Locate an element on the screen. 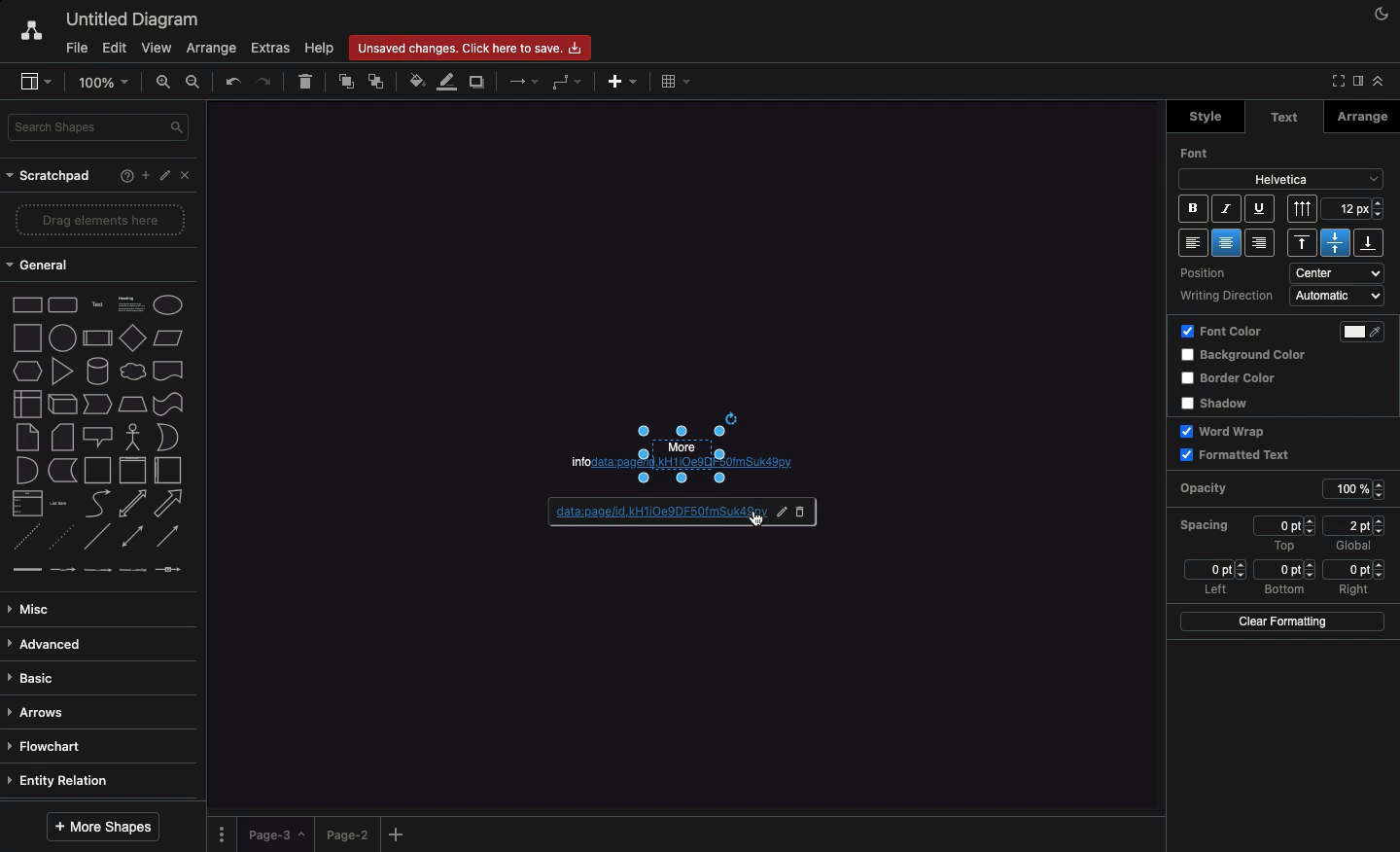 The width and height of the screenshot is (1400, 852). document is located at coordinates (169, 371).